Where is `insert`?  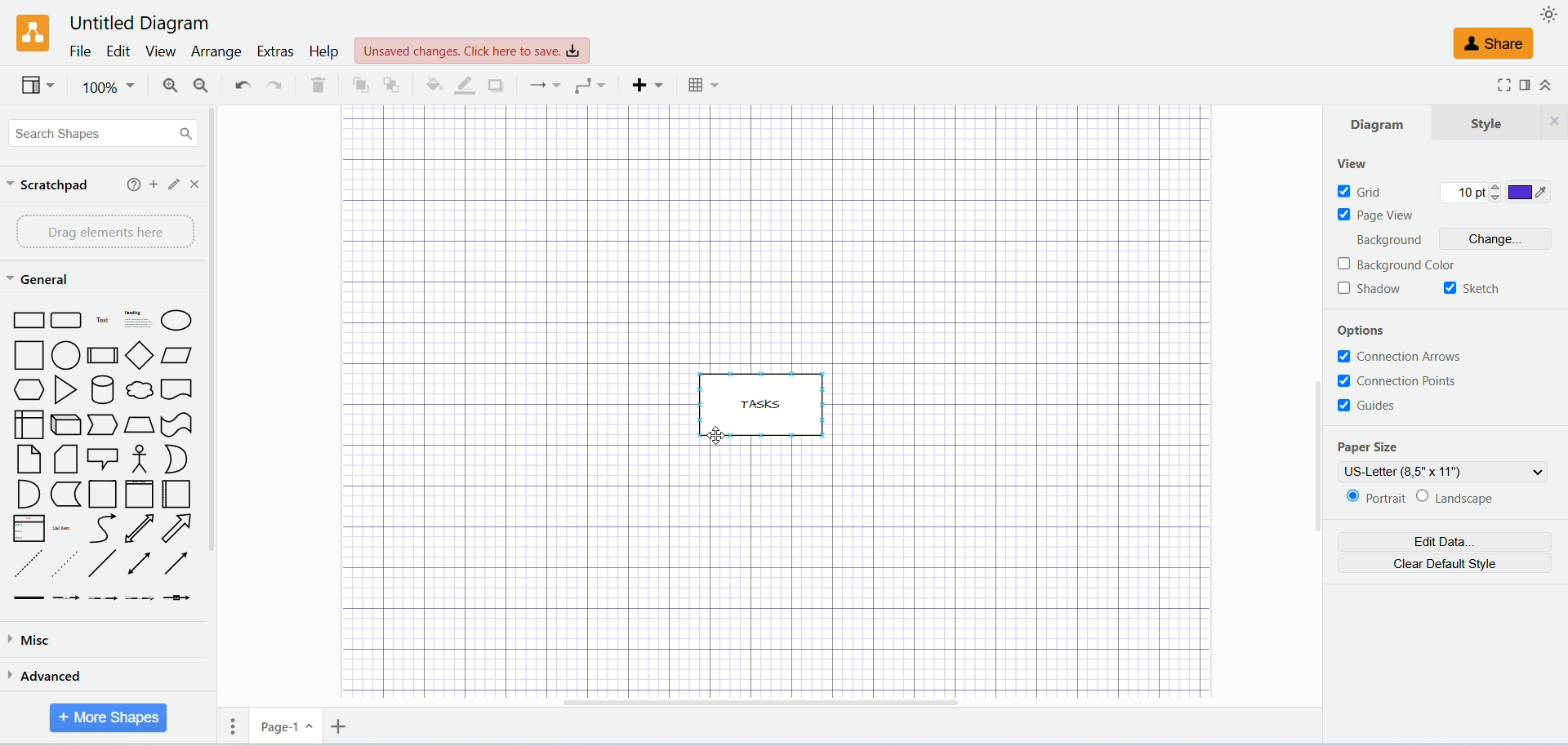
insert is located at coordinates (644, 85).